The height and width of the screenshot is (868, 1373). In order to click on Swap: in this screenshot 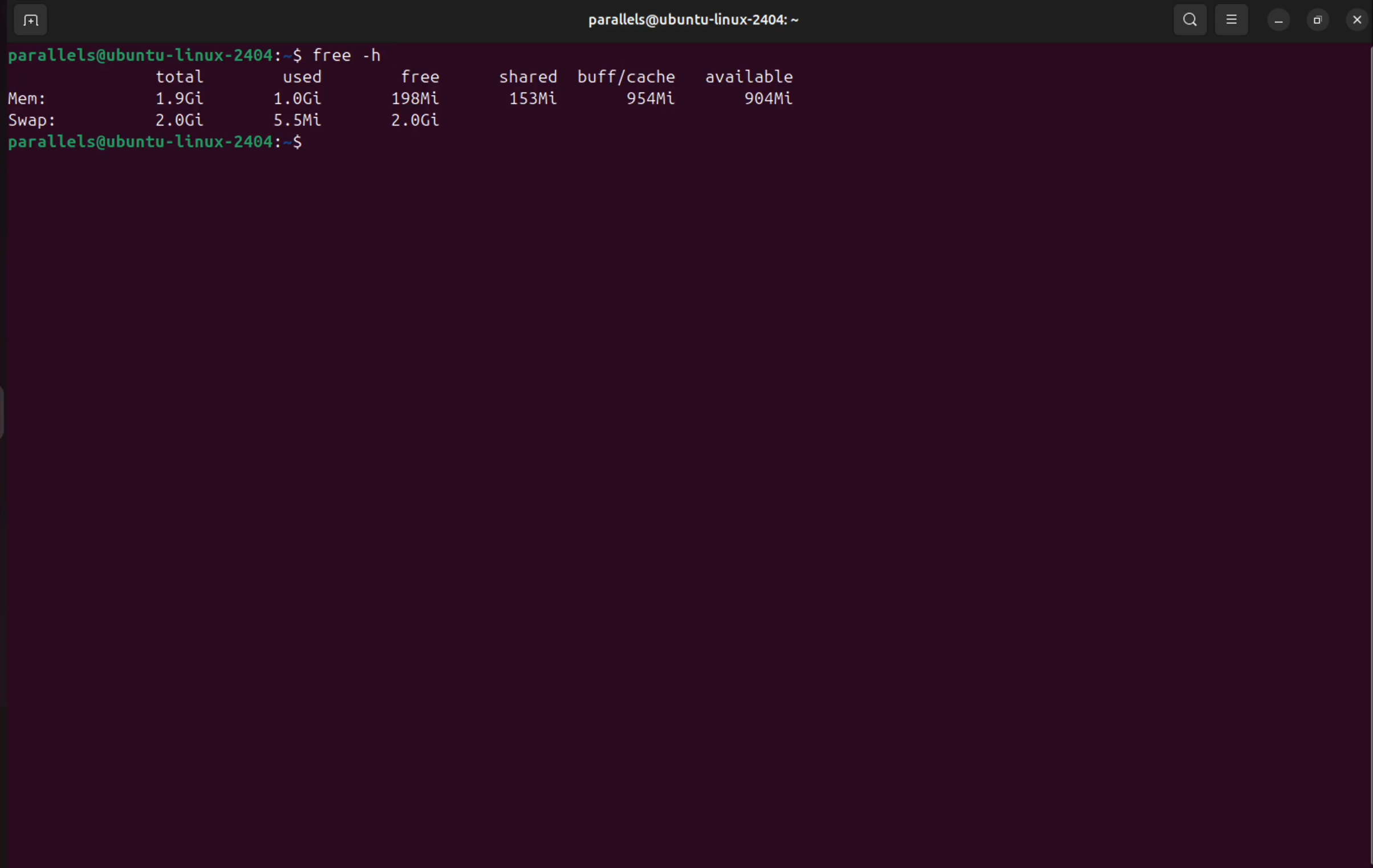, I will do `click(36, 120)`.